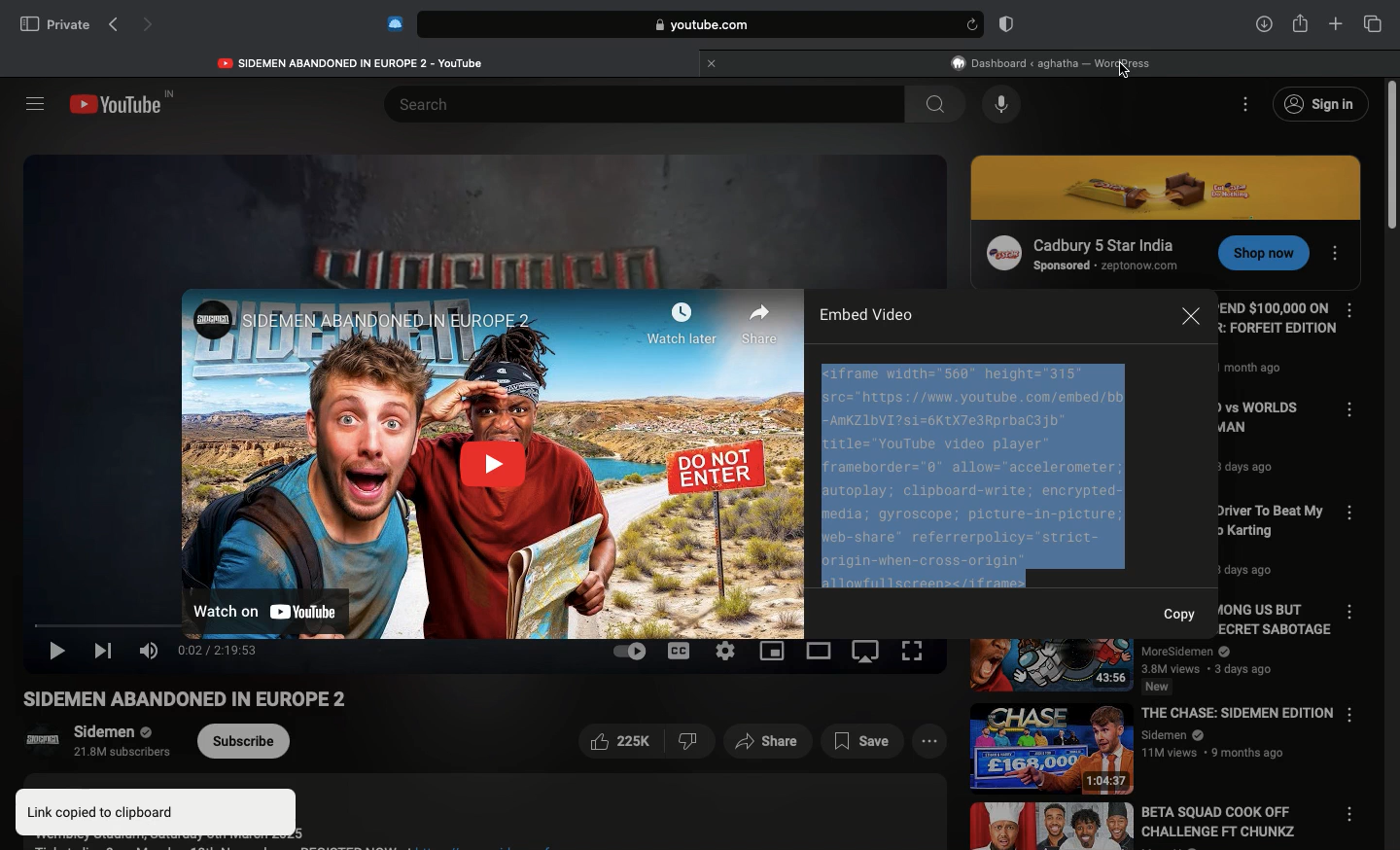  Describe the element at coordinates (1391, 464) in the screenshot. I see `Scroll` at that location.